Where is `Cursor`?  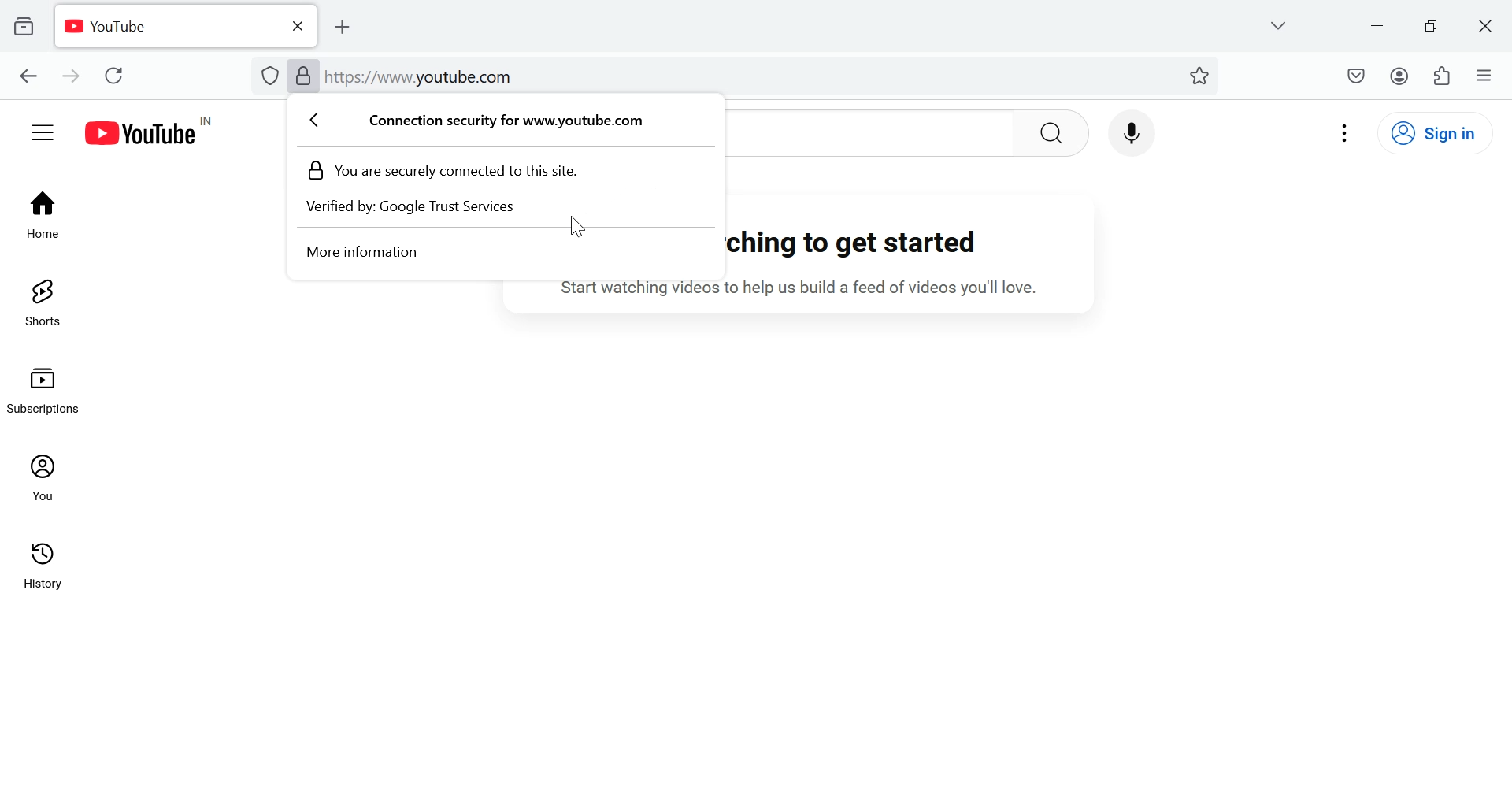 Cursor is located at coordinates (577, 230).